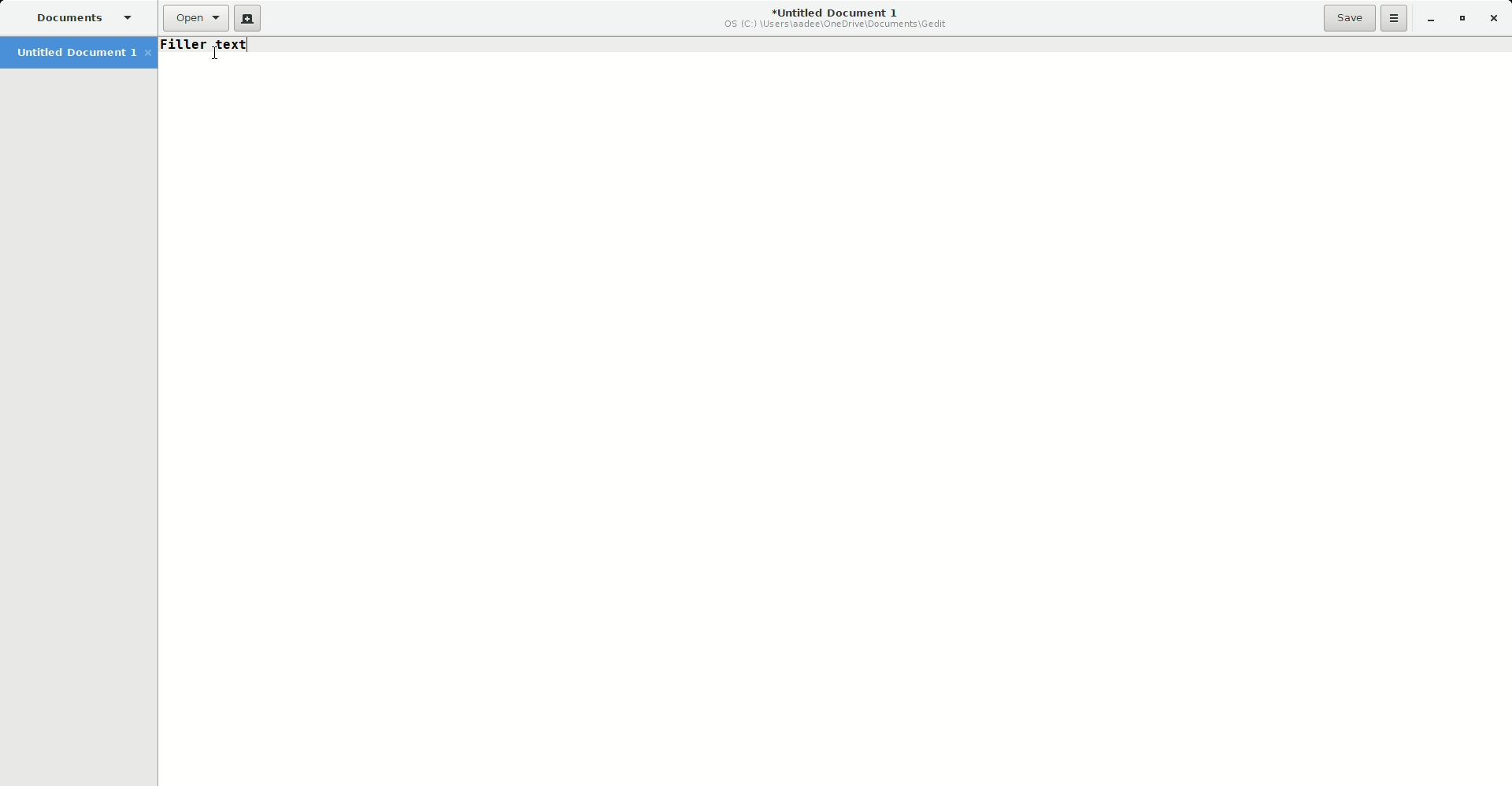 Image resolution: width=1512 pixels, height=786 pixels. What do you see at coordinates (195, 18) in the screenshot?
I see `Open` at bounding box center [195, 18].